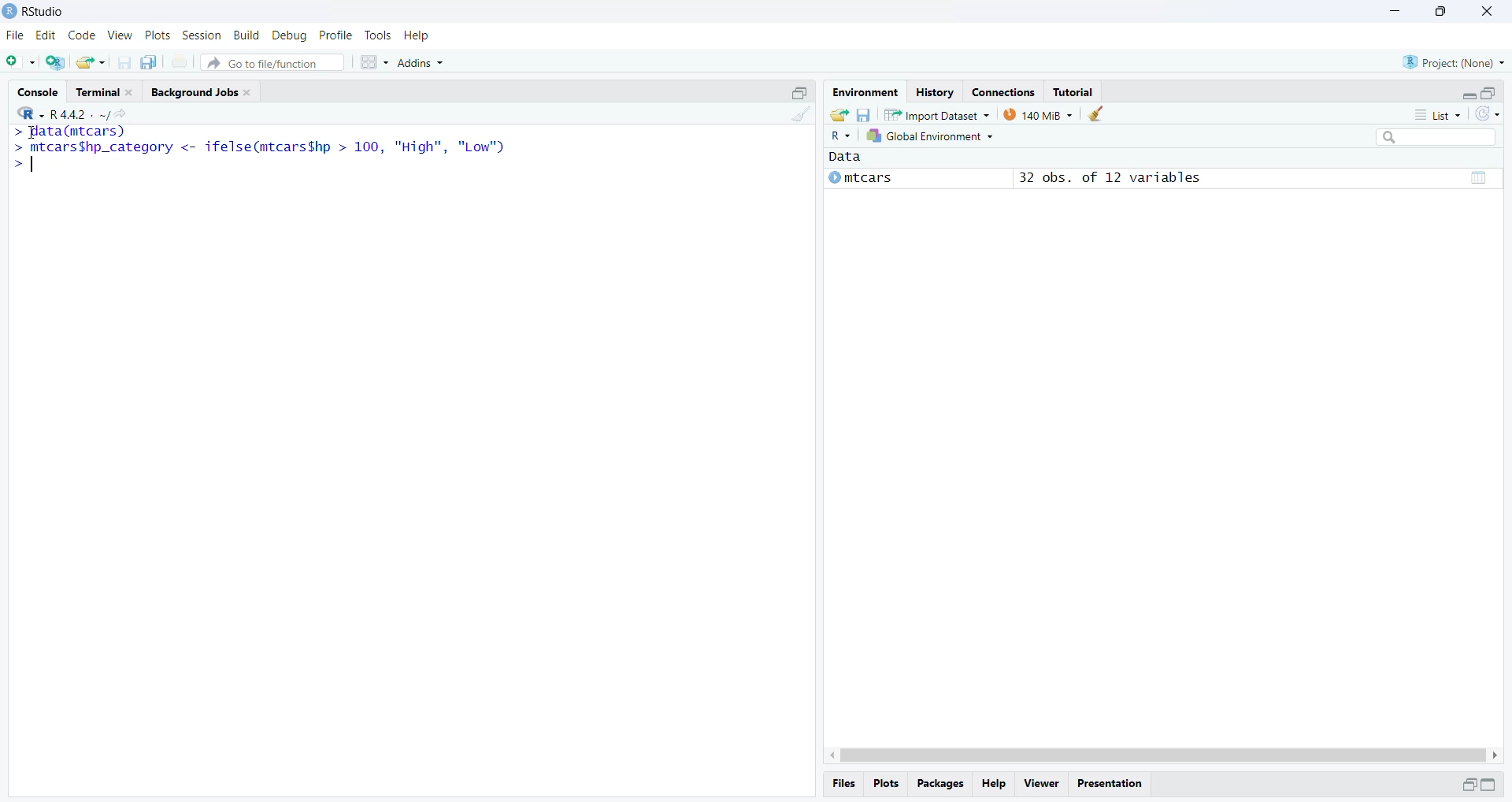  What do you see at coordinates (289, 35) in the screenshot?
I see `Debug` at bounding box center [289, 35].